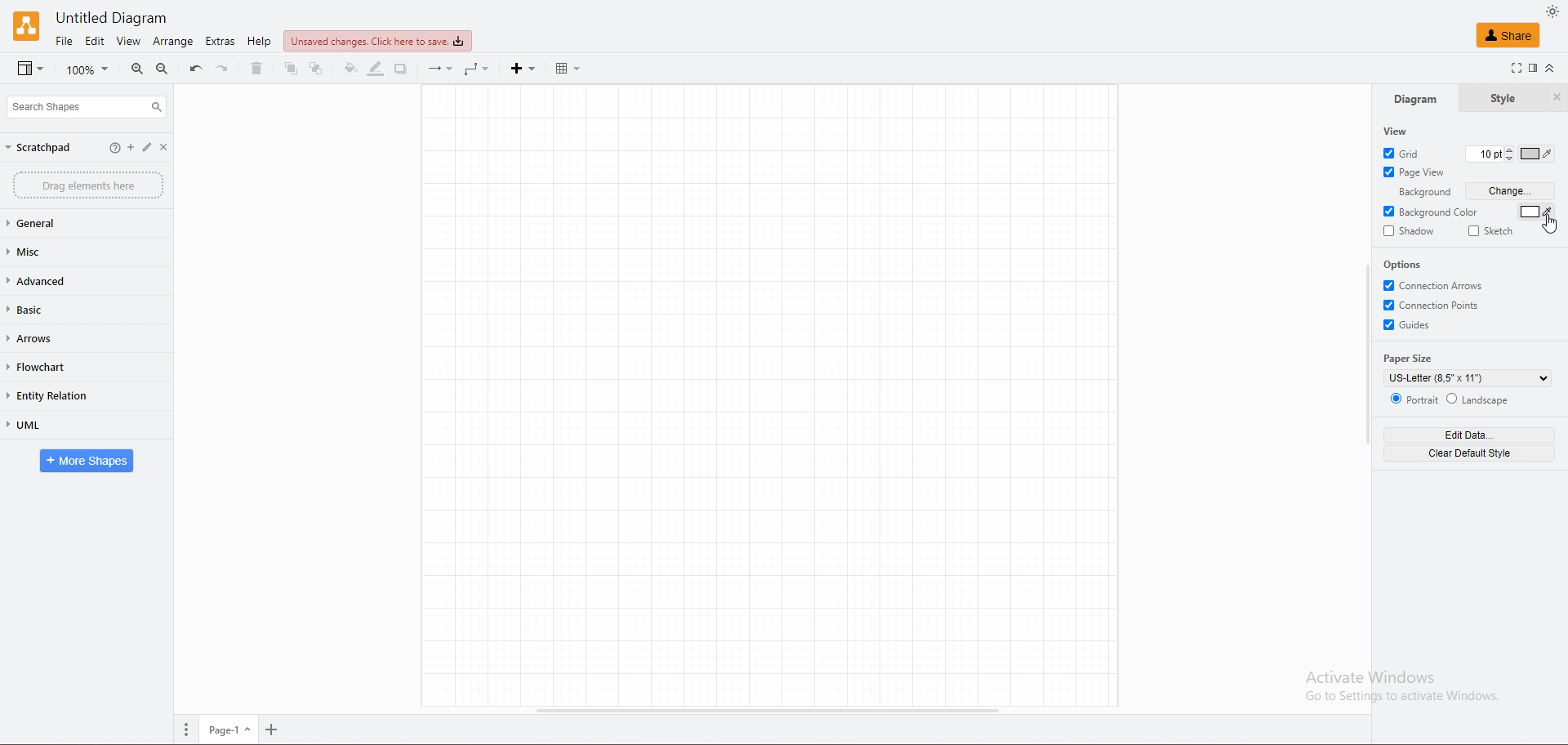 The height and width of the screenshot is (745, 1568). What do you see at coordinates (221, 41) in the screenshot?
I see `extras` at bounding box center [221, 41].